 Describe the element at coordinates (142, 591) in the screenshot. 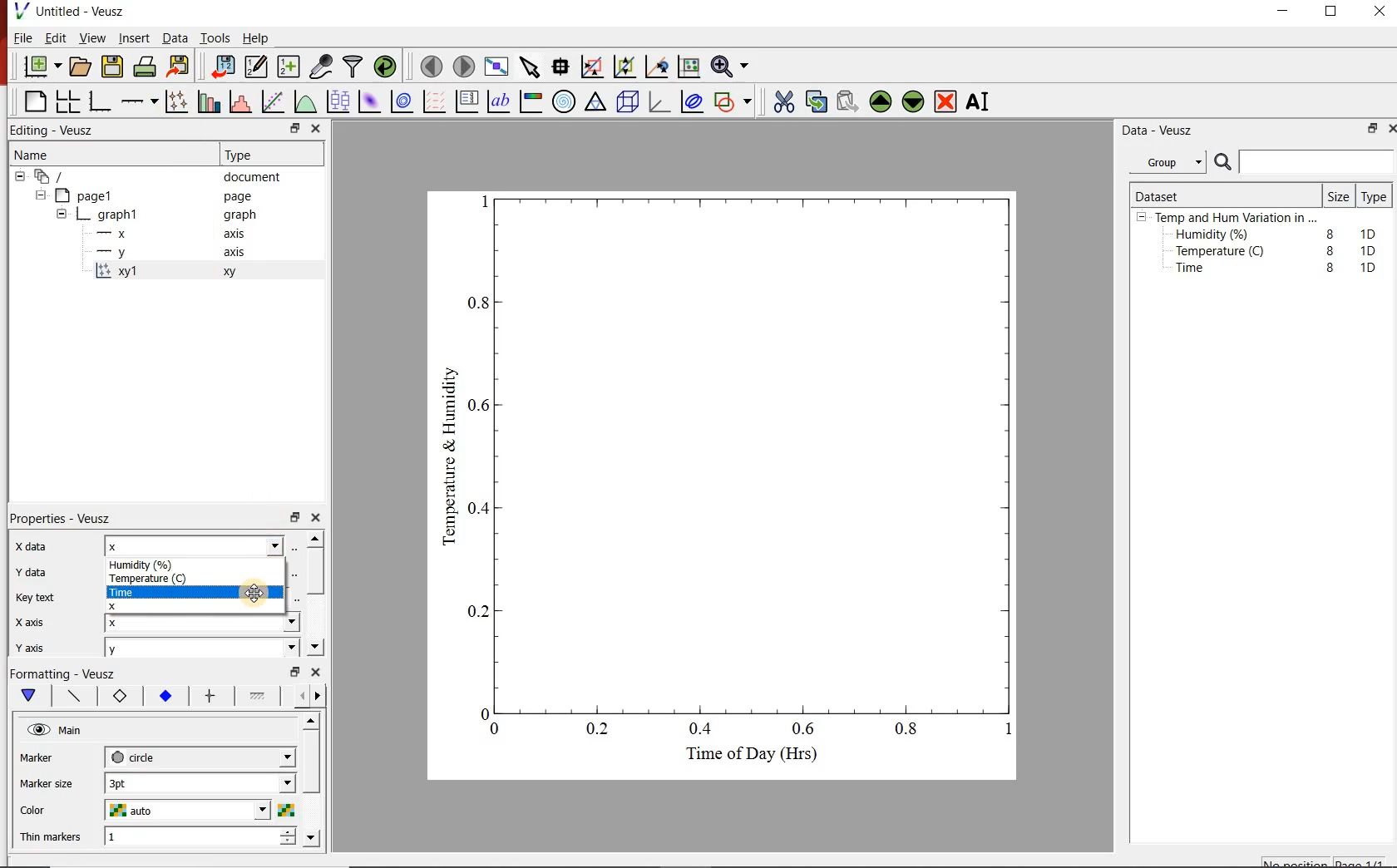

I see `time` at that location.